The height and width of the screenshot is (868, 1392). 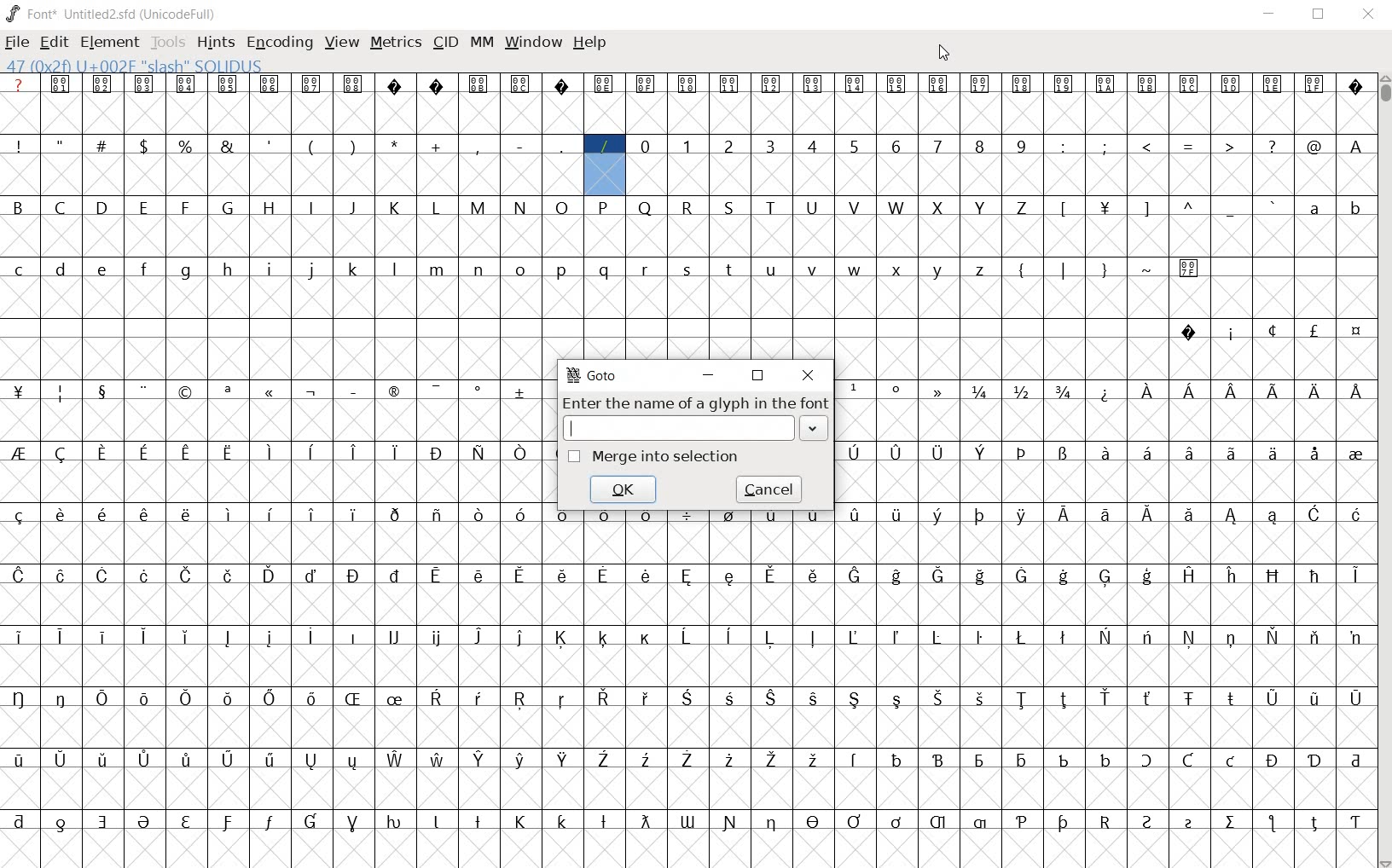 I want to click on glyph, so click(x=435, y=822).